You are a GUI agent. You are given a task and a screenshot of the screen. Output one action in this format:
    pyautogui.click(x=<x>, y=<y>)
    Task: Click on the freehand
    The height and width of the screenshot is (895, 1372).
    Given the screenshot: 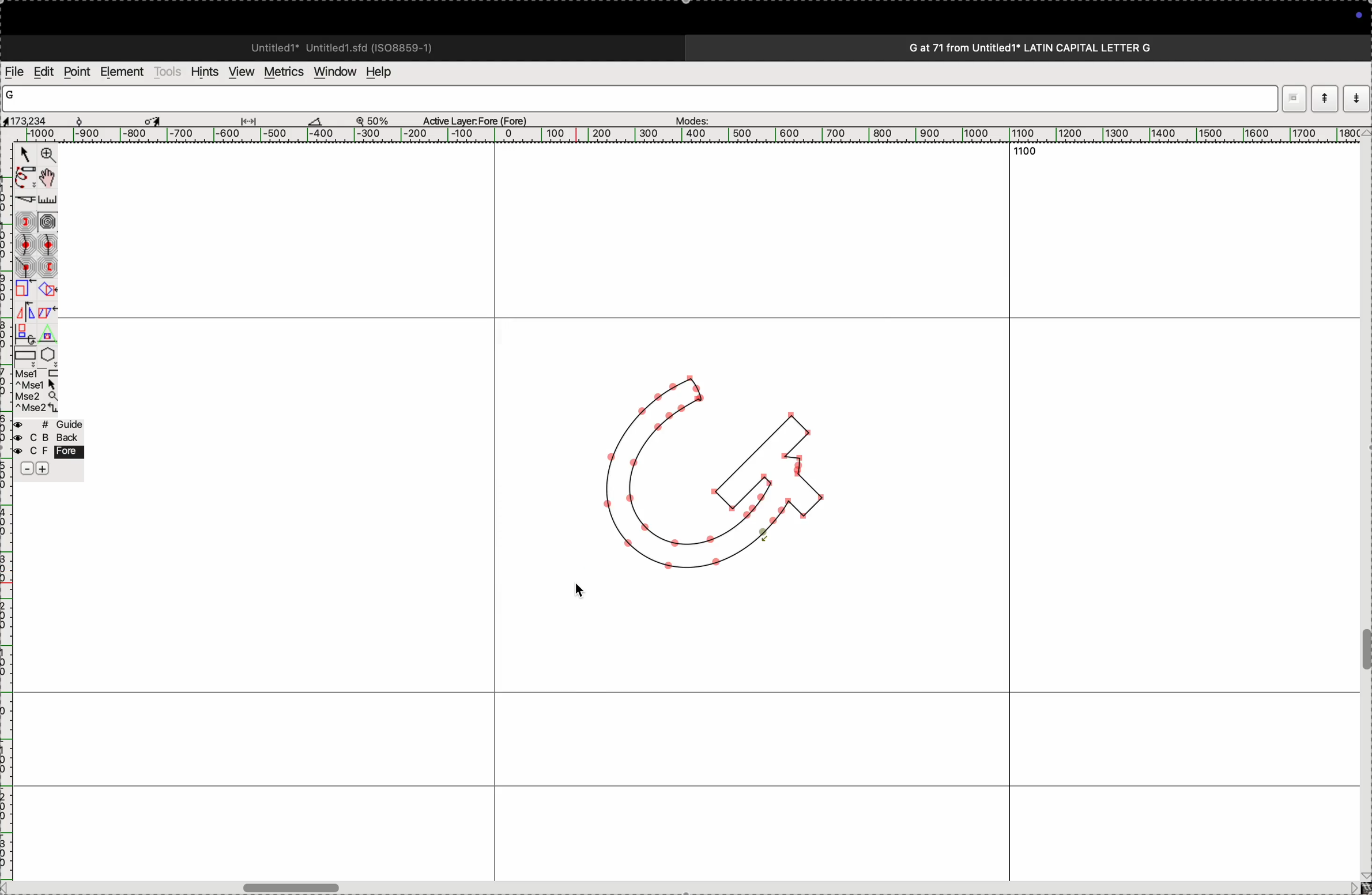 What is the action you would take?
    pyautogui.click(x=25, y=179)
    